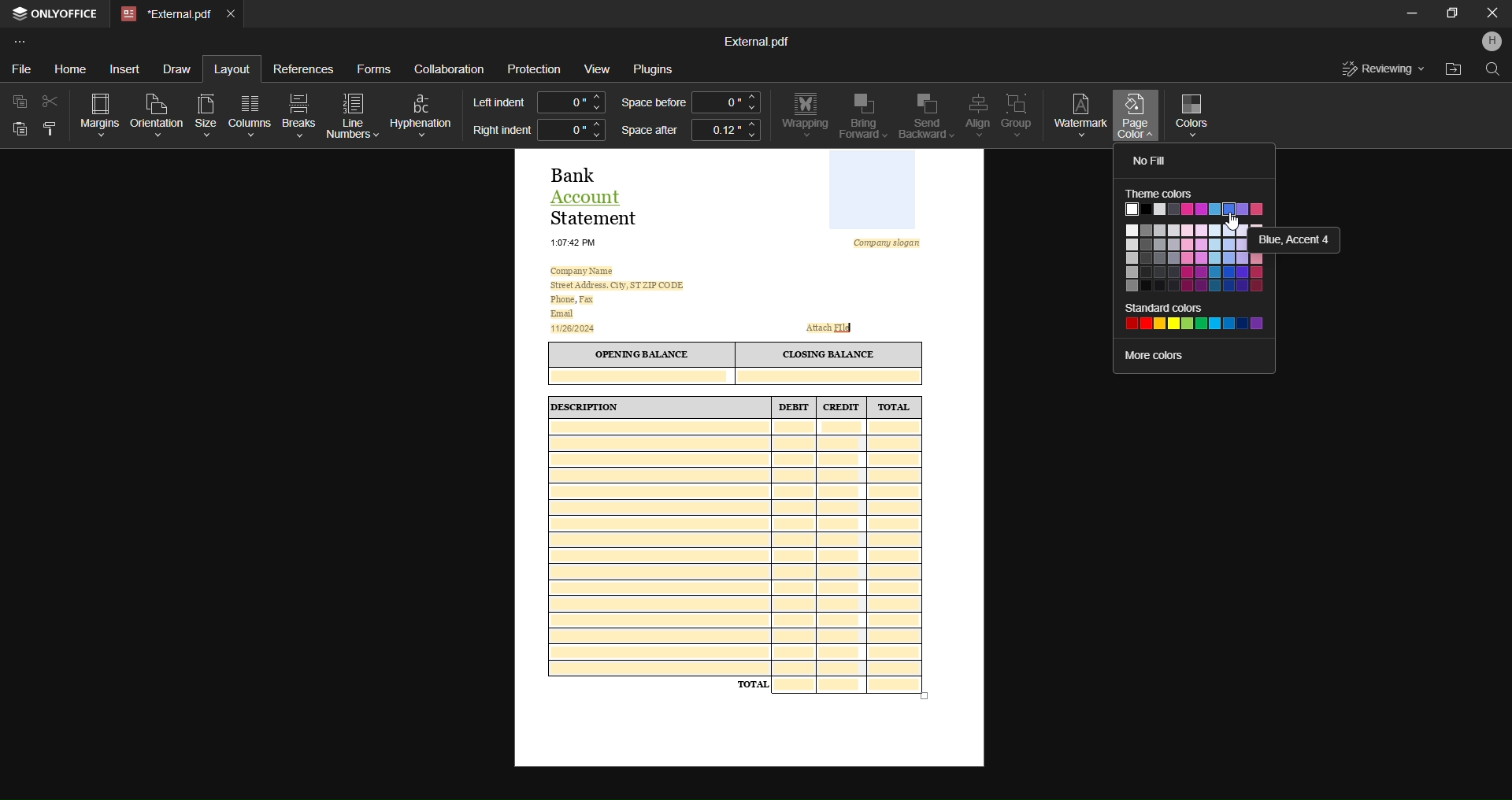 The width and height of the screenshot is (1512, 800). Describe the element at coordinates (1136, 119) in the screenshot. I see `Page Color` at that location.